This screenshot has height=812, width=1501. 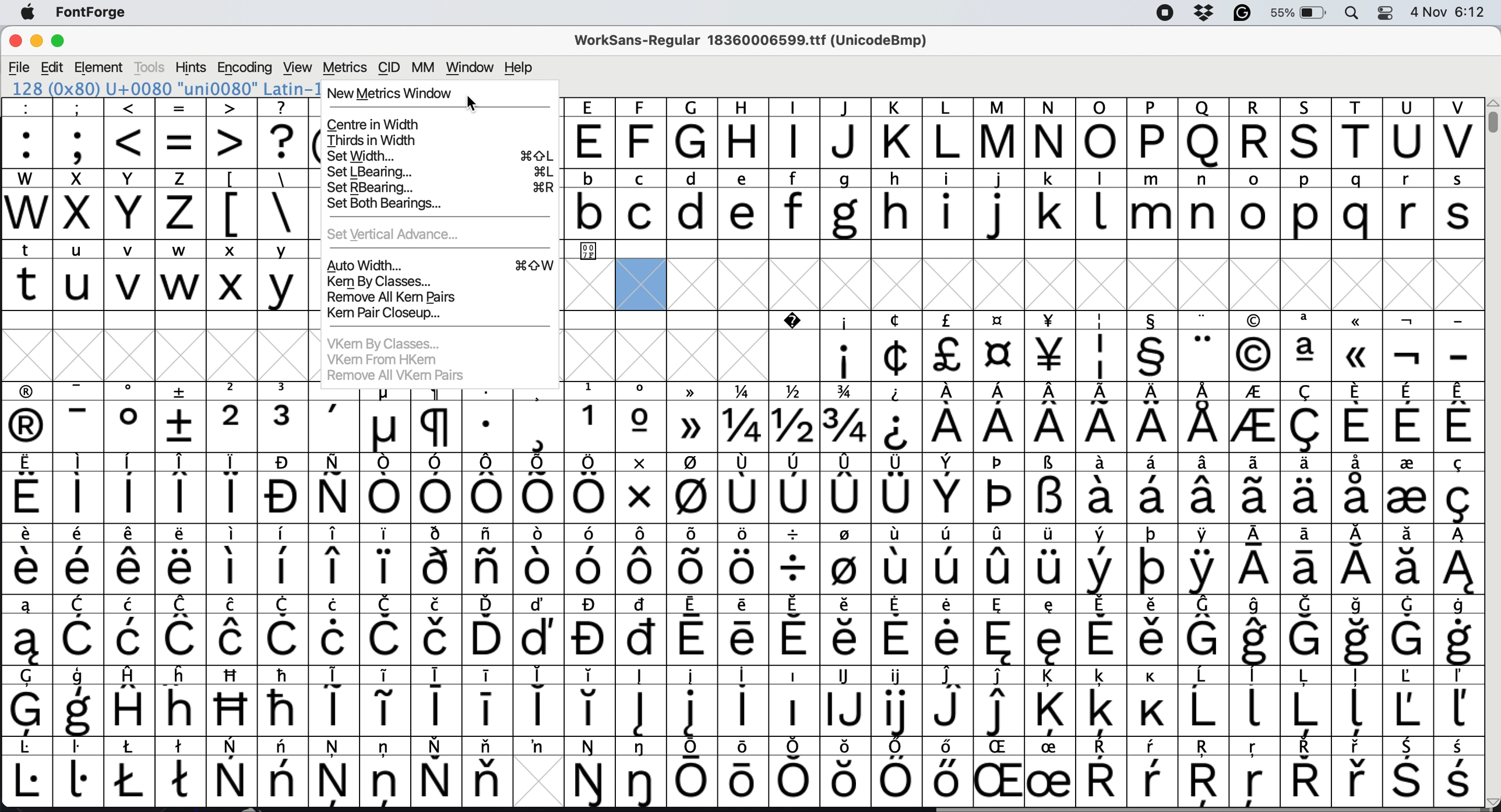 I want to click on control center, so click(x=1389, y=13).